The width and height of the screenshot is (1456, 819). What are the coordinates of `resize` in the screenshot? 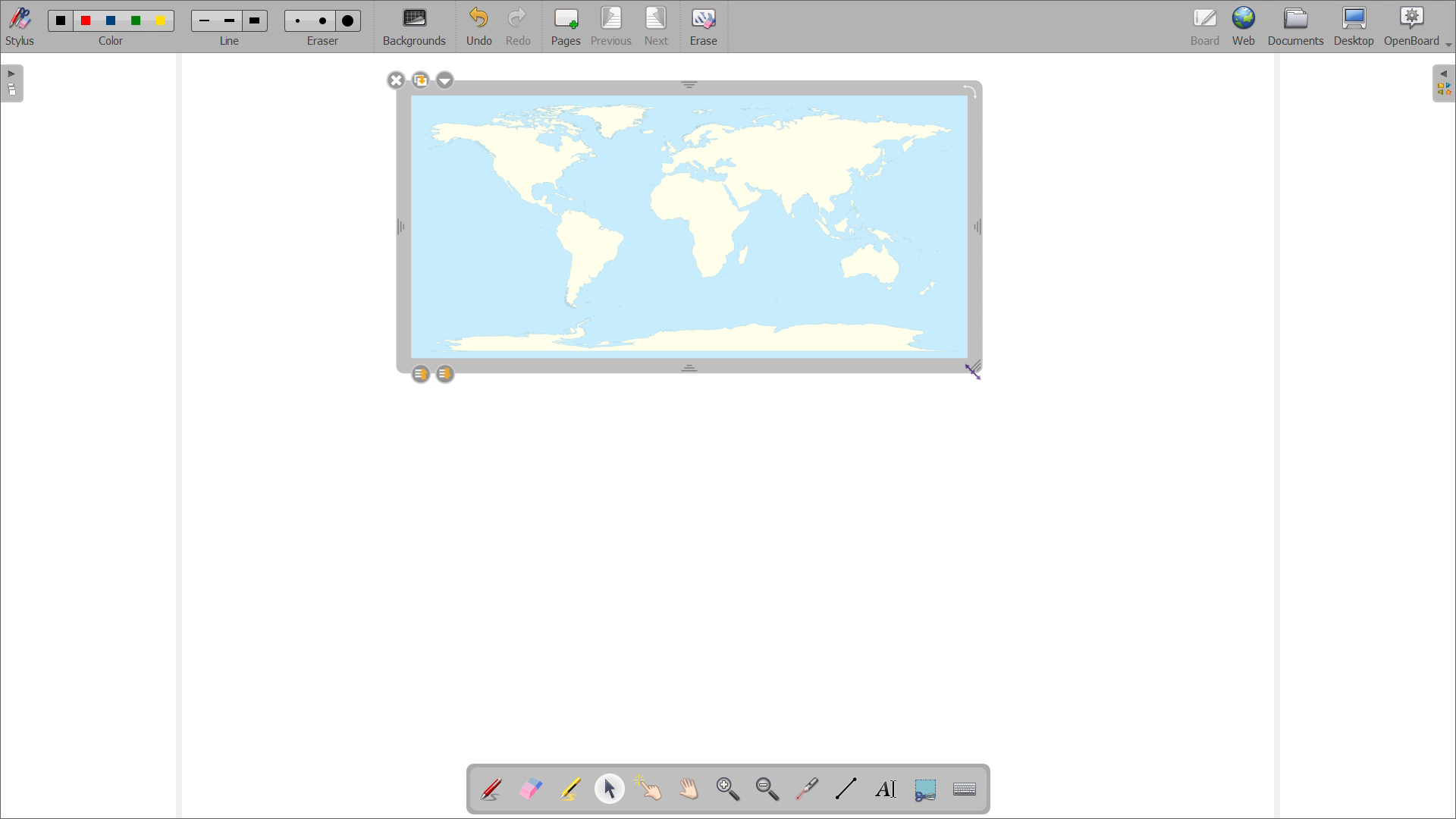 It's located at (400, 227).